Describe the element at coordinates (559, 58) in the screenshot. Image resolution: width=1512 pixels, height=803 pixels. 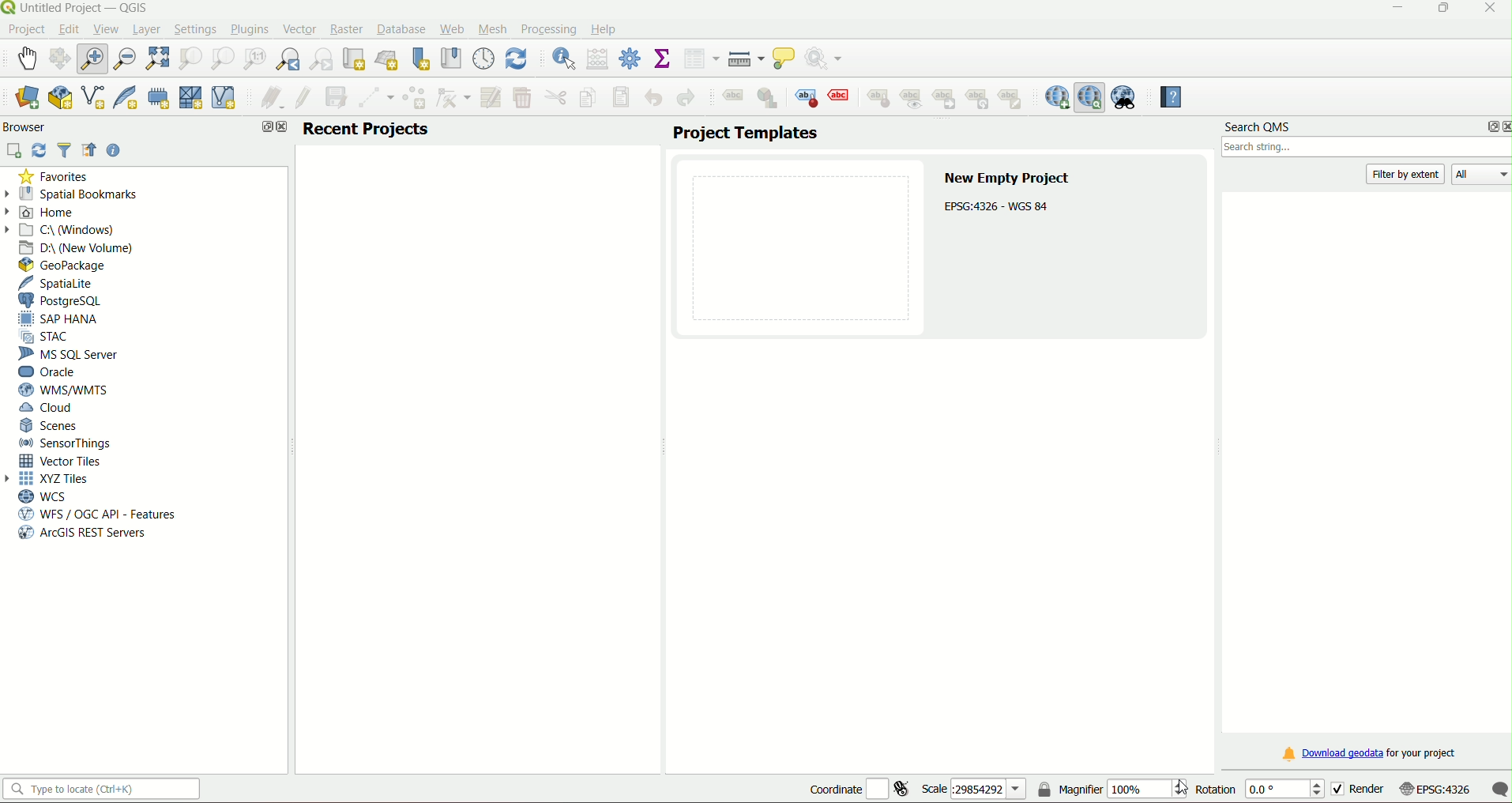
I see `identify features` at that location.